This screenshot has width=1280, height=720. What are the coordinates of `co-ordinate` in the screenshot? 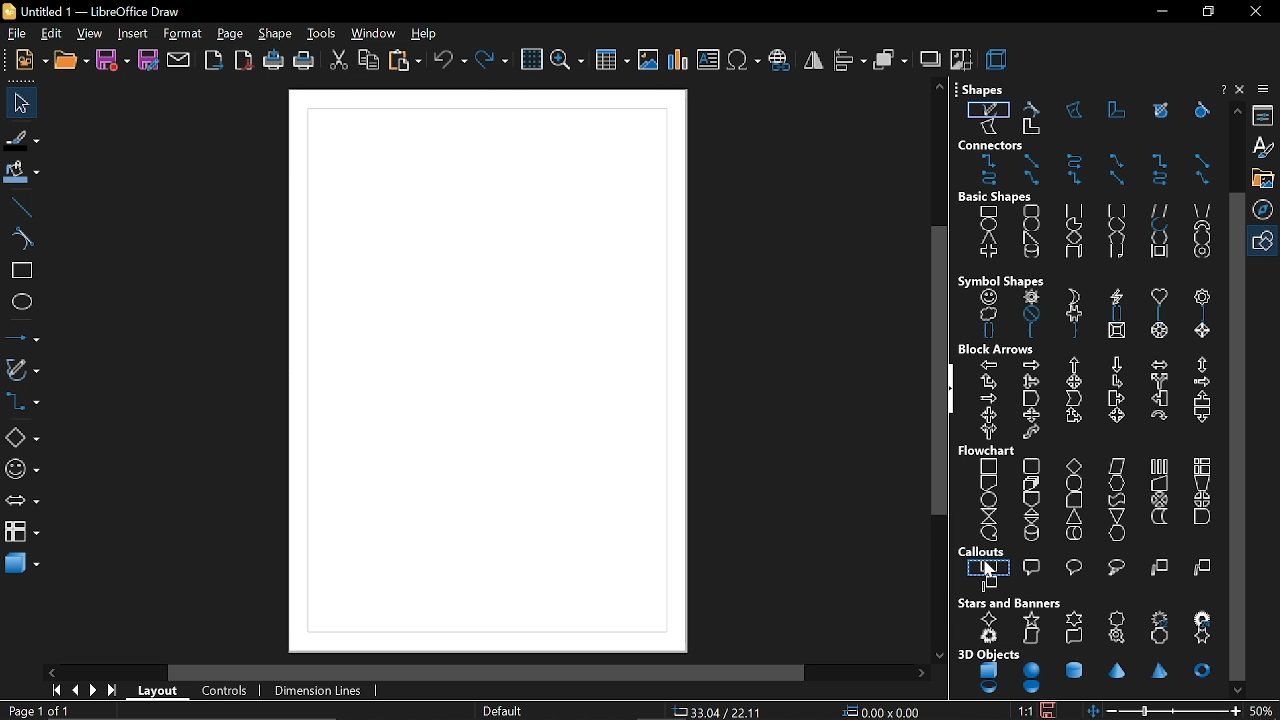 It's located at (718, 712).